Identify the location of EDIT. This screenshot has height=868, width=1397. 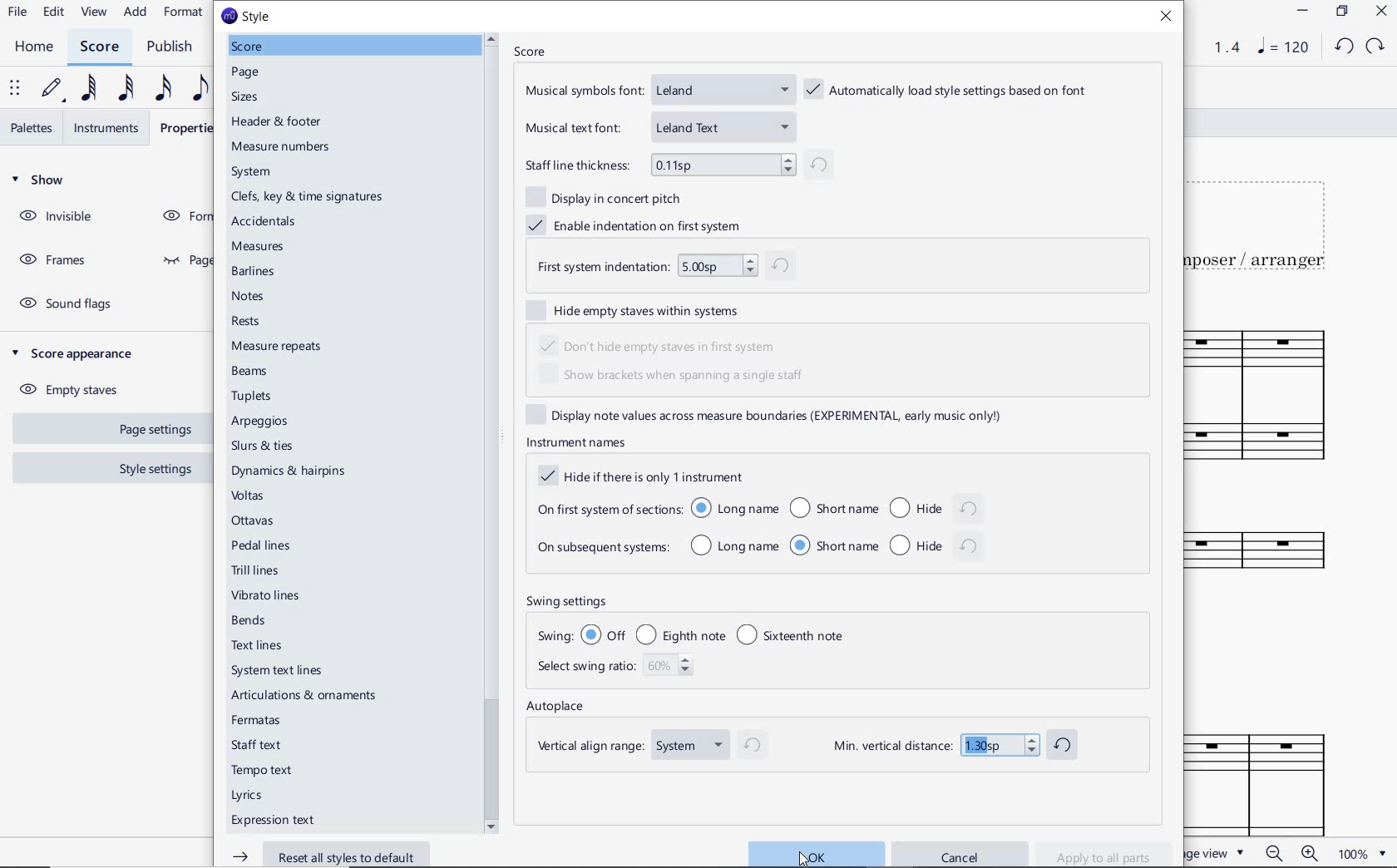
(54, 13).